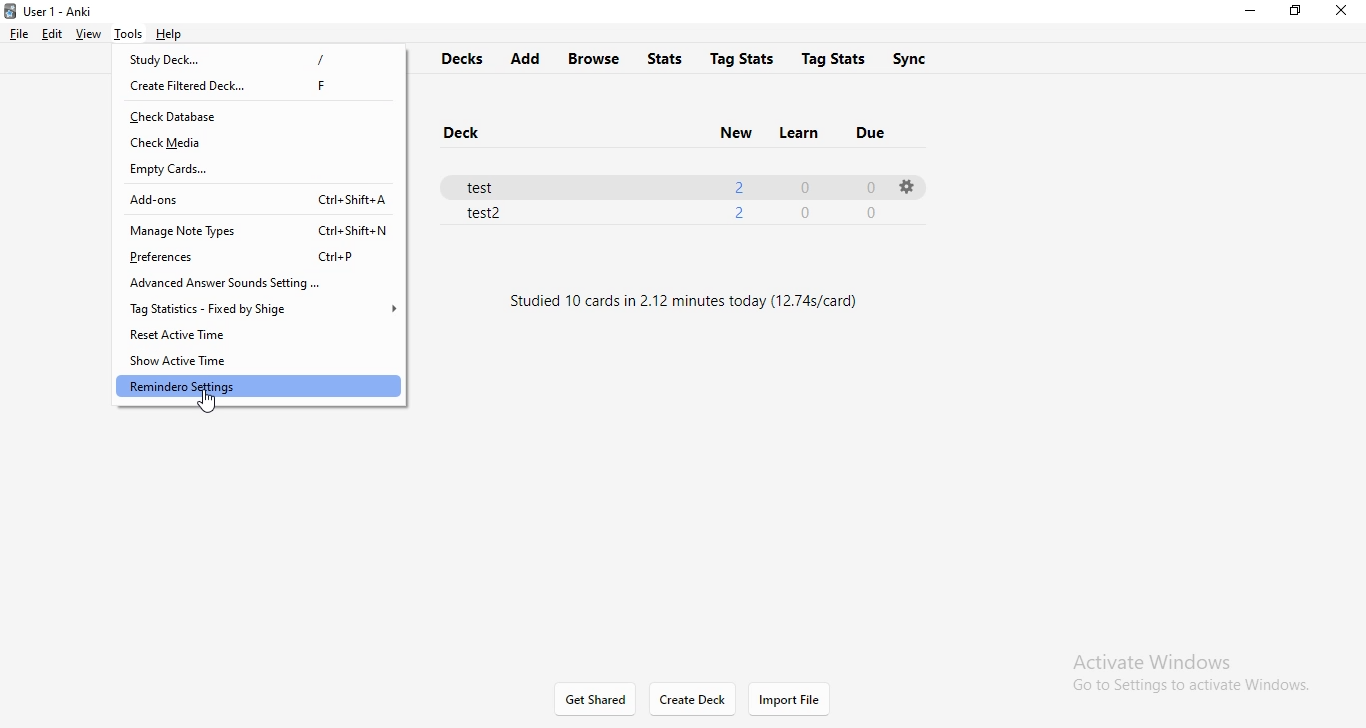  I want to click on minimise, so click(1249, 13).